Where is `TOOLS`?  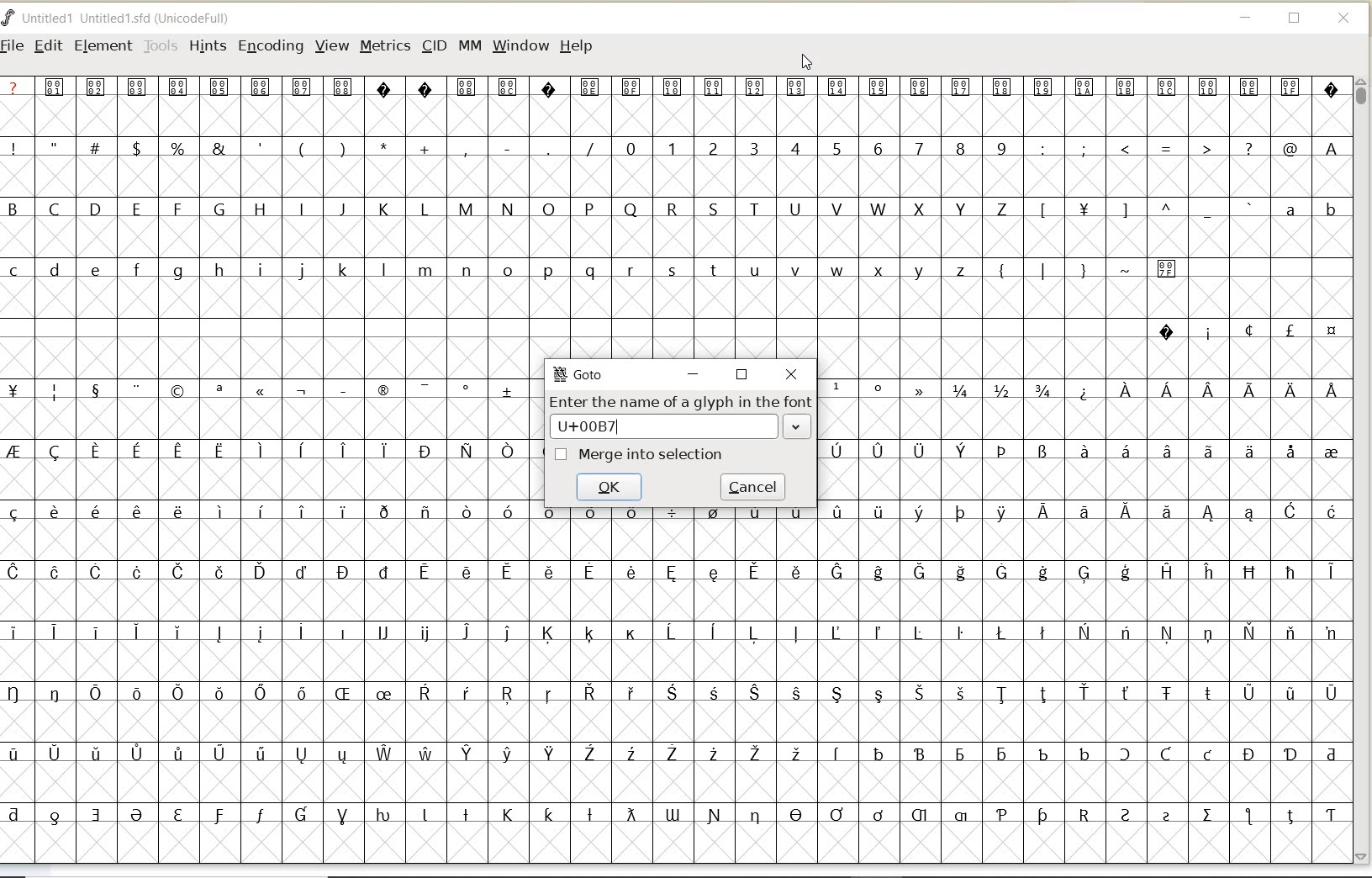 TOOLS is located at coordinates (161, 45).